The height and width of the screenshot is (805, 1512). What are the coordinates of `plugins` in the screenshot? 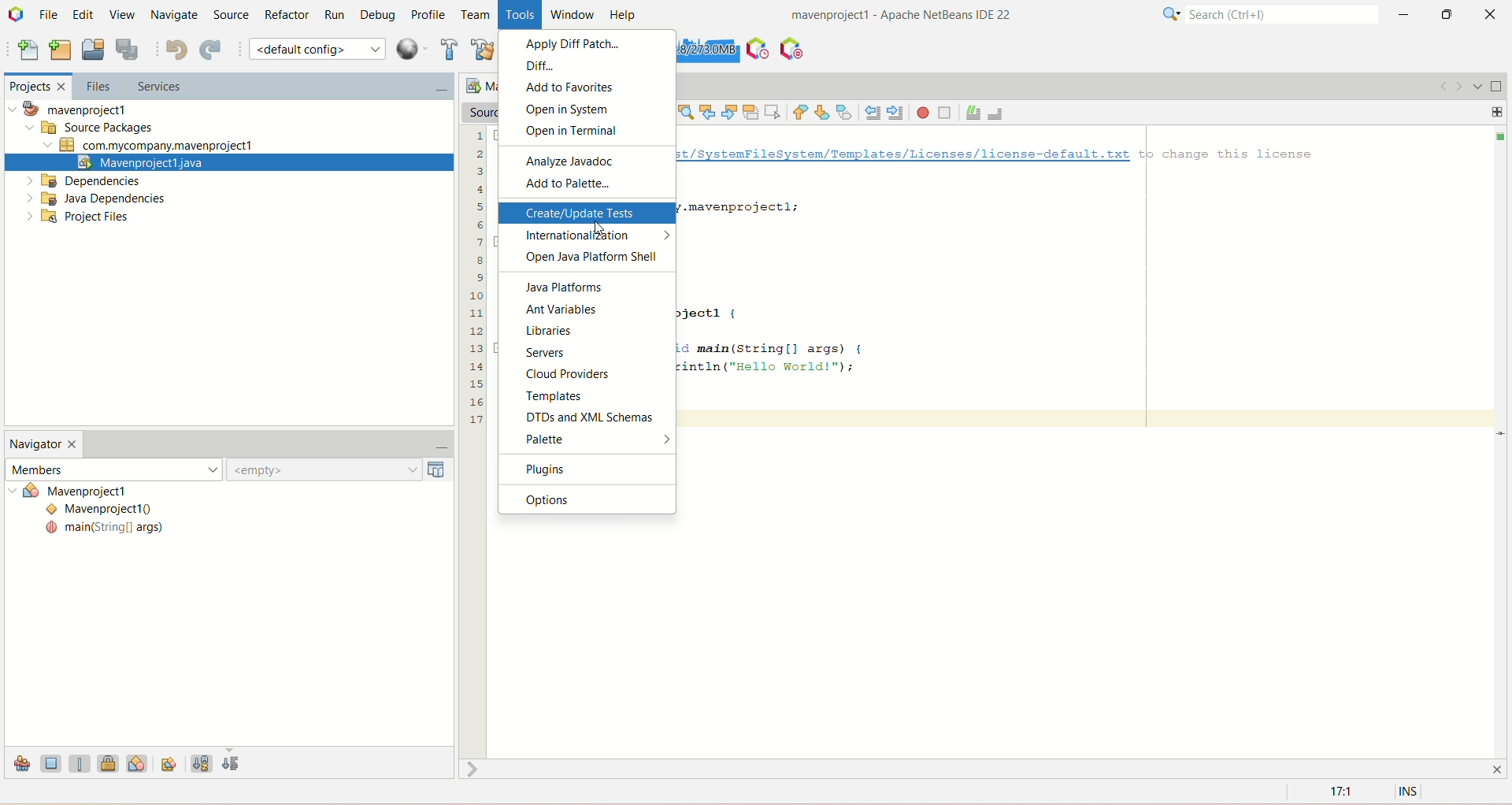 It's located at (585, 469).